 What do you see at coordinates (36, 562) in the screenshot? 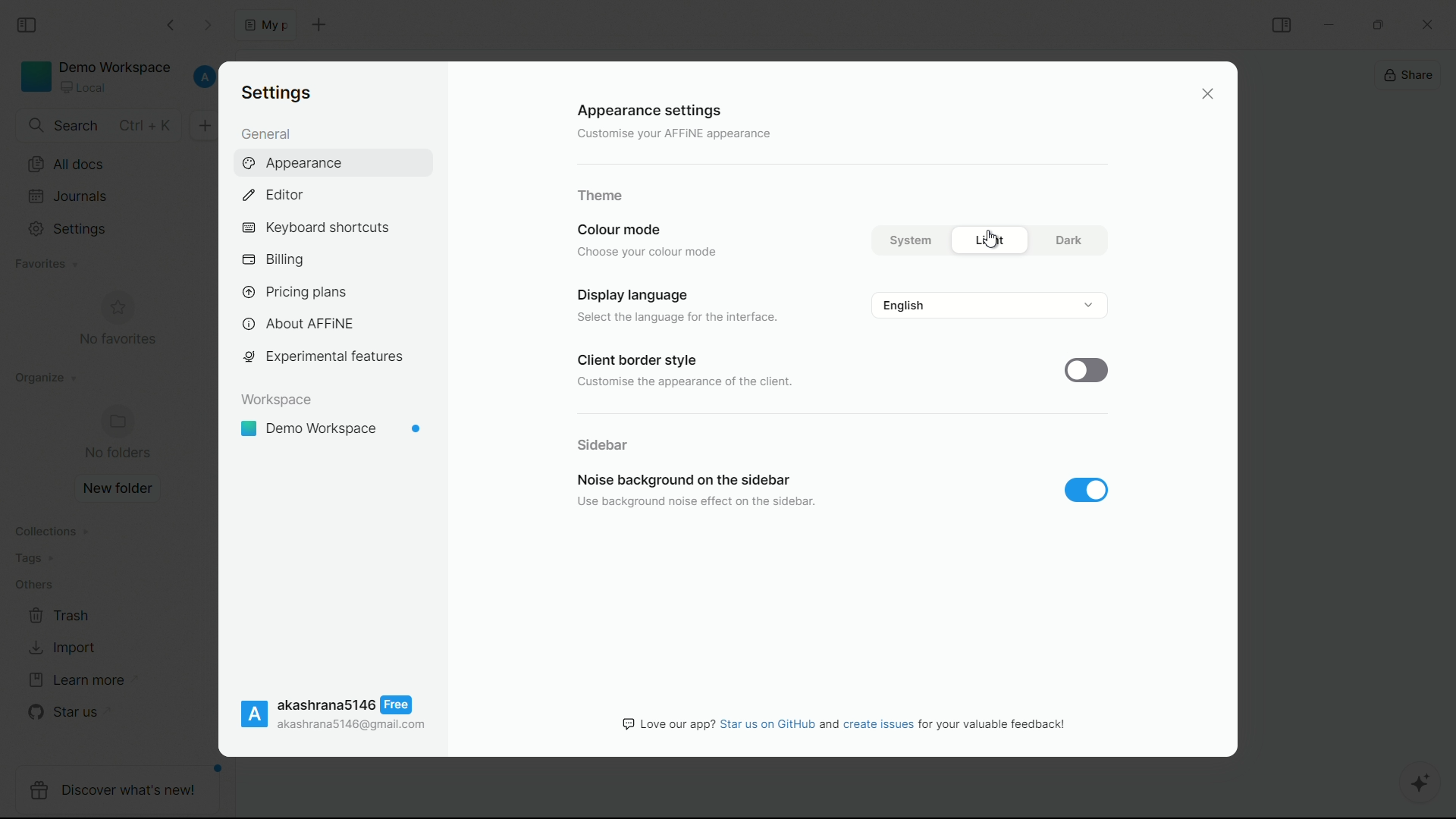
I see `tags` at bounding box center [36, 562].